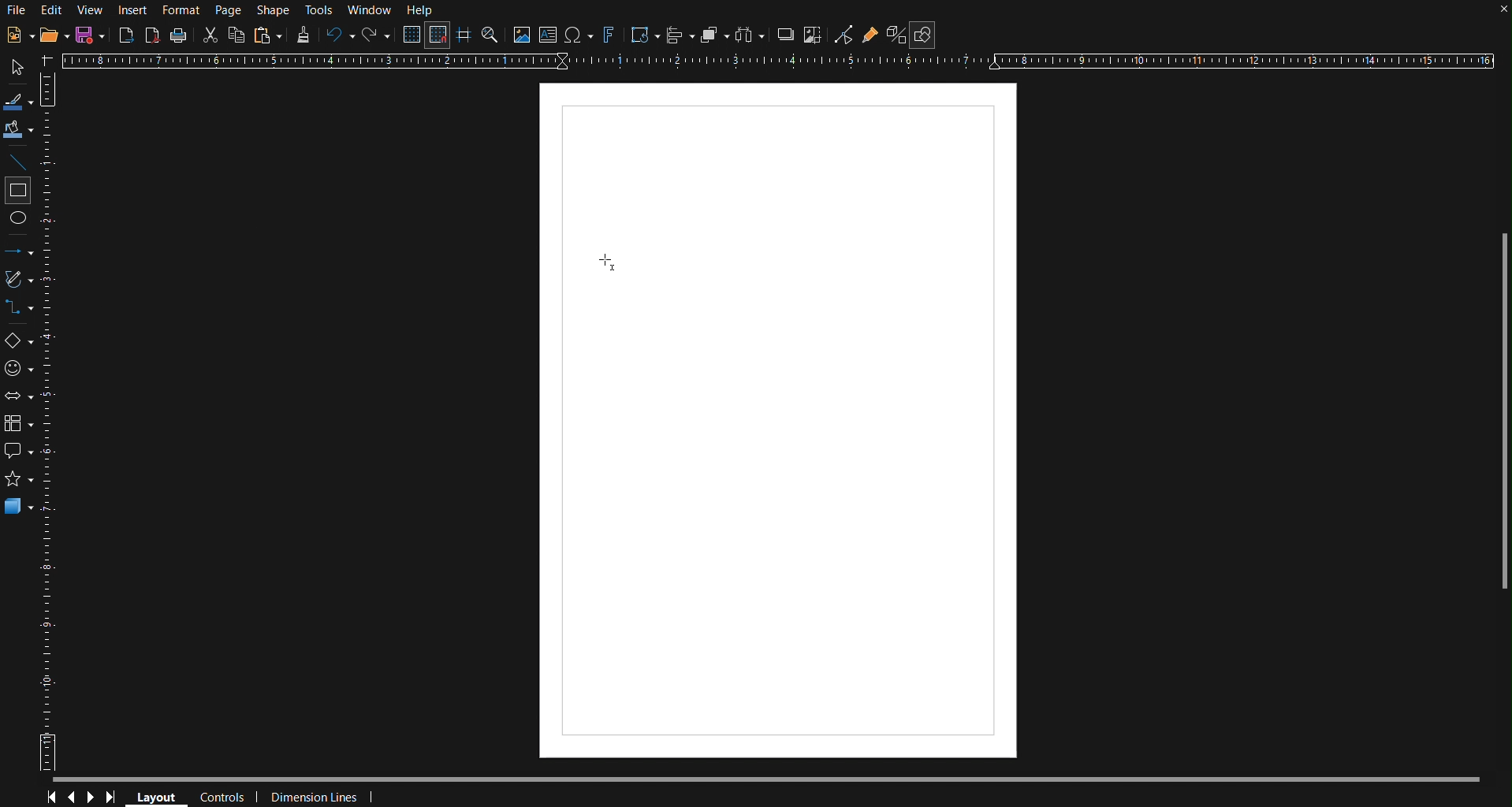 This screenshot has width=1512, height=807. Describe the element at coordinates (49, 798) in the screenshot. I see `First Page` at that location.